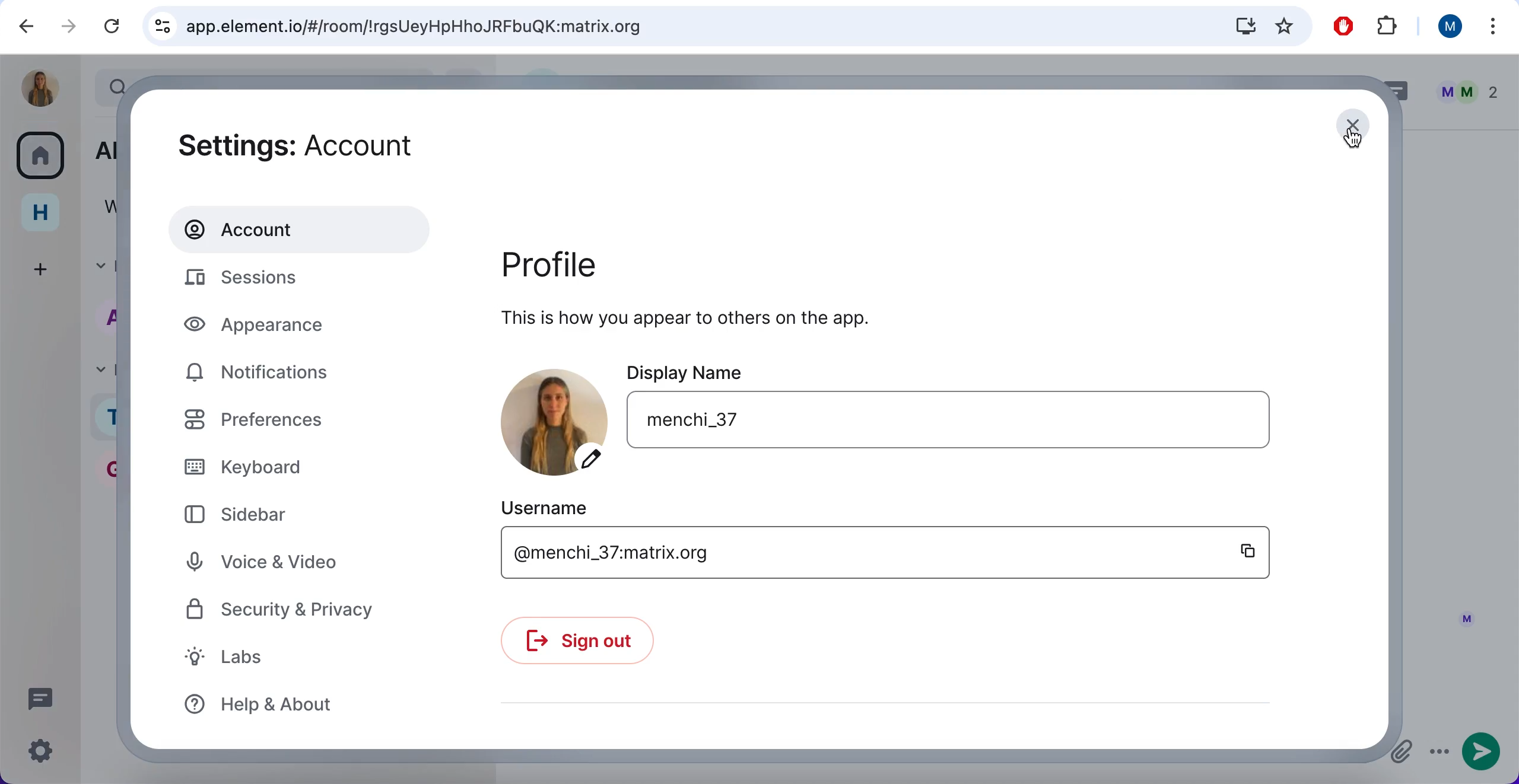 Image resolution: width=1519 pixels, height=784 pixels. Describe the element at coordinates (1401, 753) in the screenshot. I see `attachments` at that location.